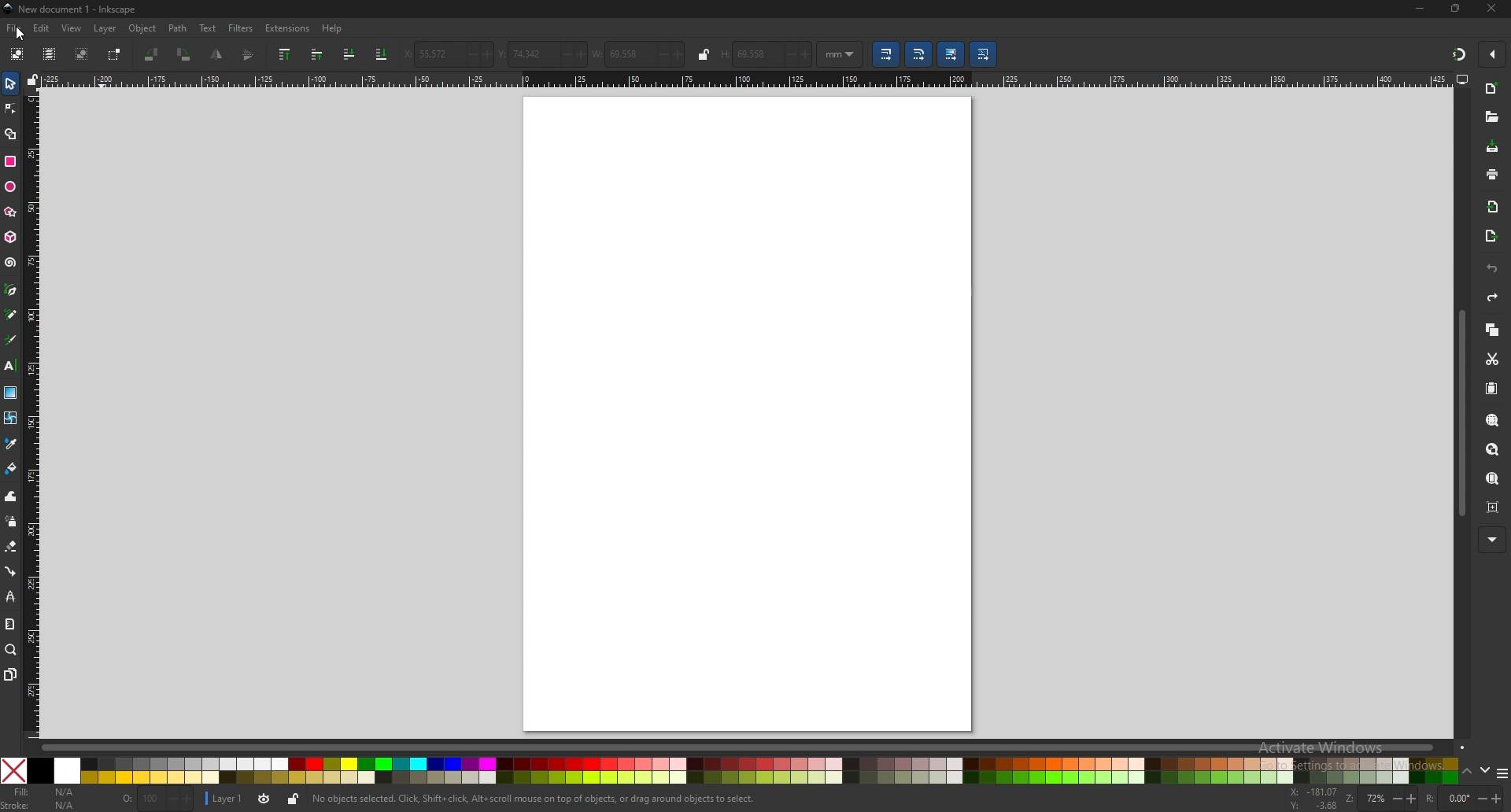  What do you see at coordinates (19, 34) in the screenshot?
I see `Cursor` at bounding box center [19, 34].